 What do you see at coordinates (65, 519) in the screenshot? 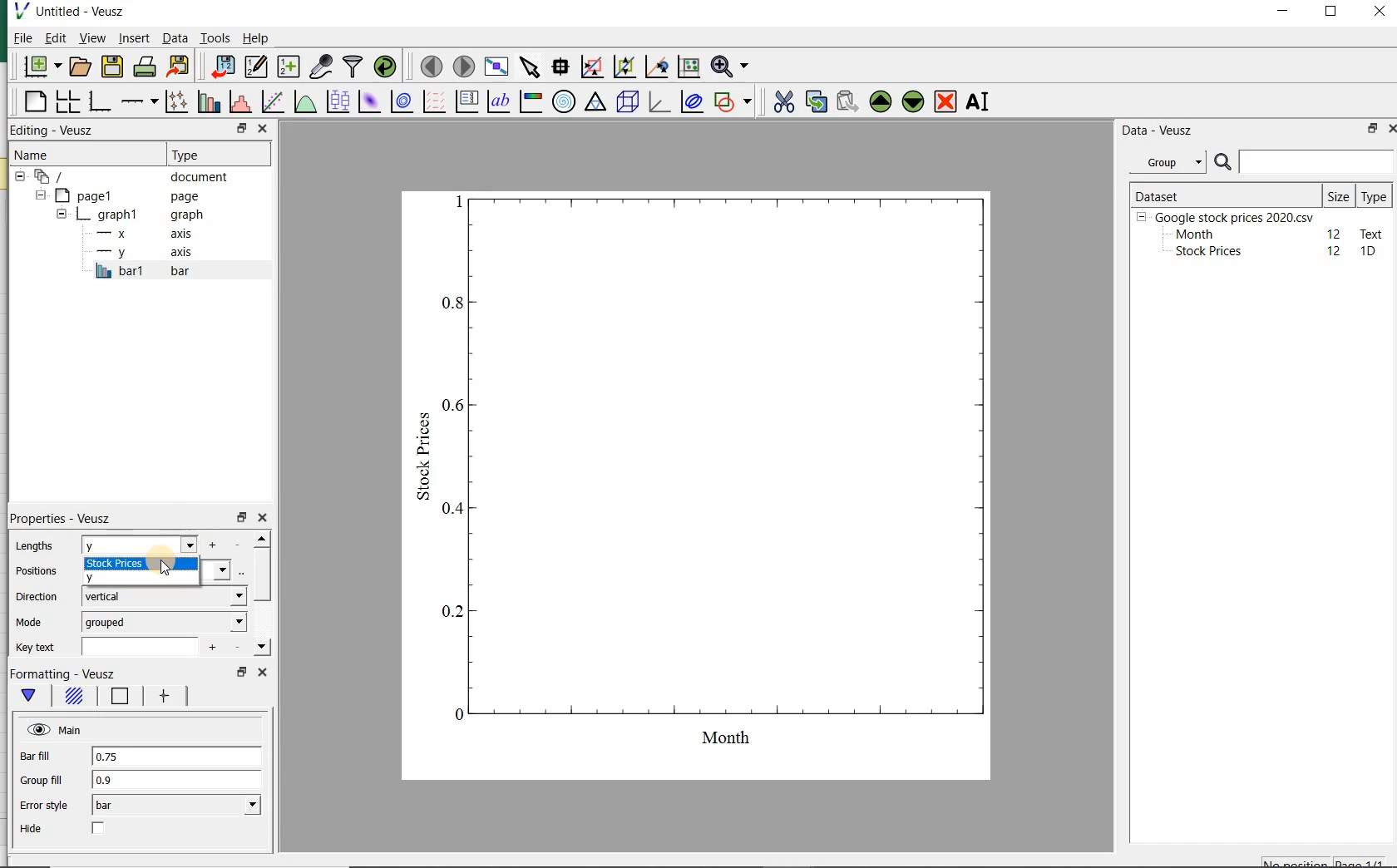
I see `Properties - Veusz` at bounding box center [65, 519].